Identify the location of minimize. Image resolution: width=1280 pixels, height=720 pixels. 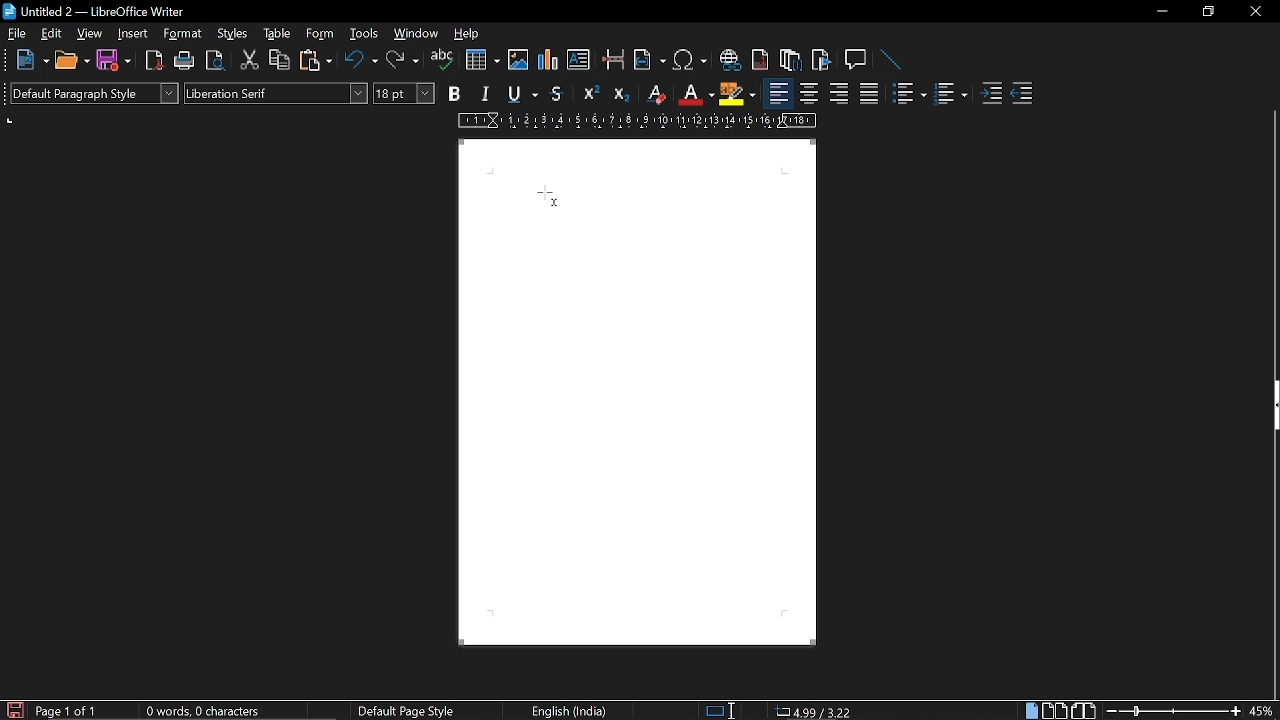
(1162, 12).